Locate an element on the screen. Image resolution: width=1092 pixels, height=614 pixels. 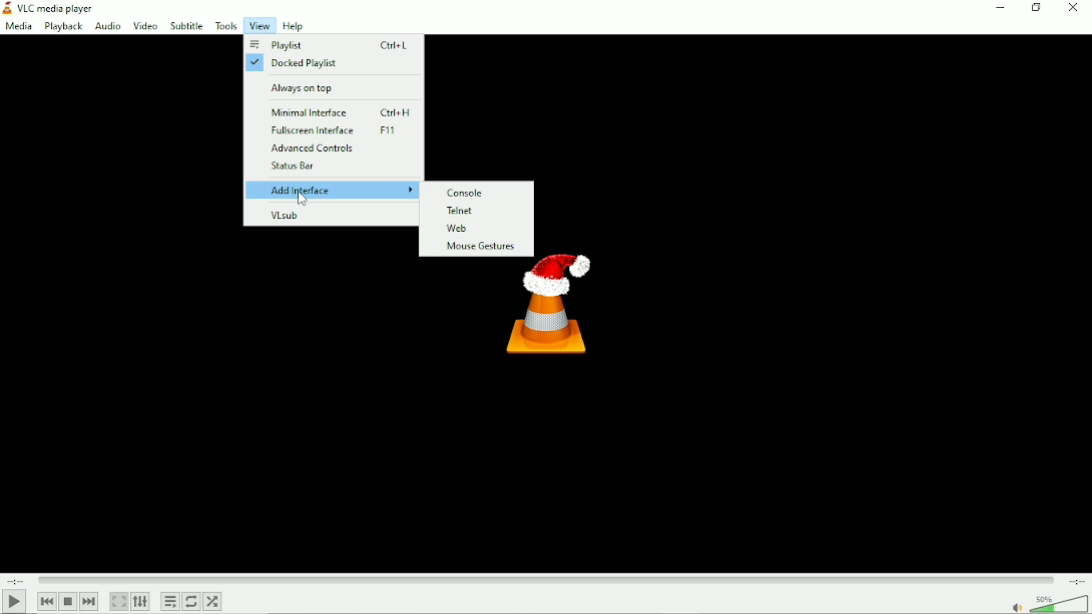
VLC media player  is located at coordinates (58, 8).